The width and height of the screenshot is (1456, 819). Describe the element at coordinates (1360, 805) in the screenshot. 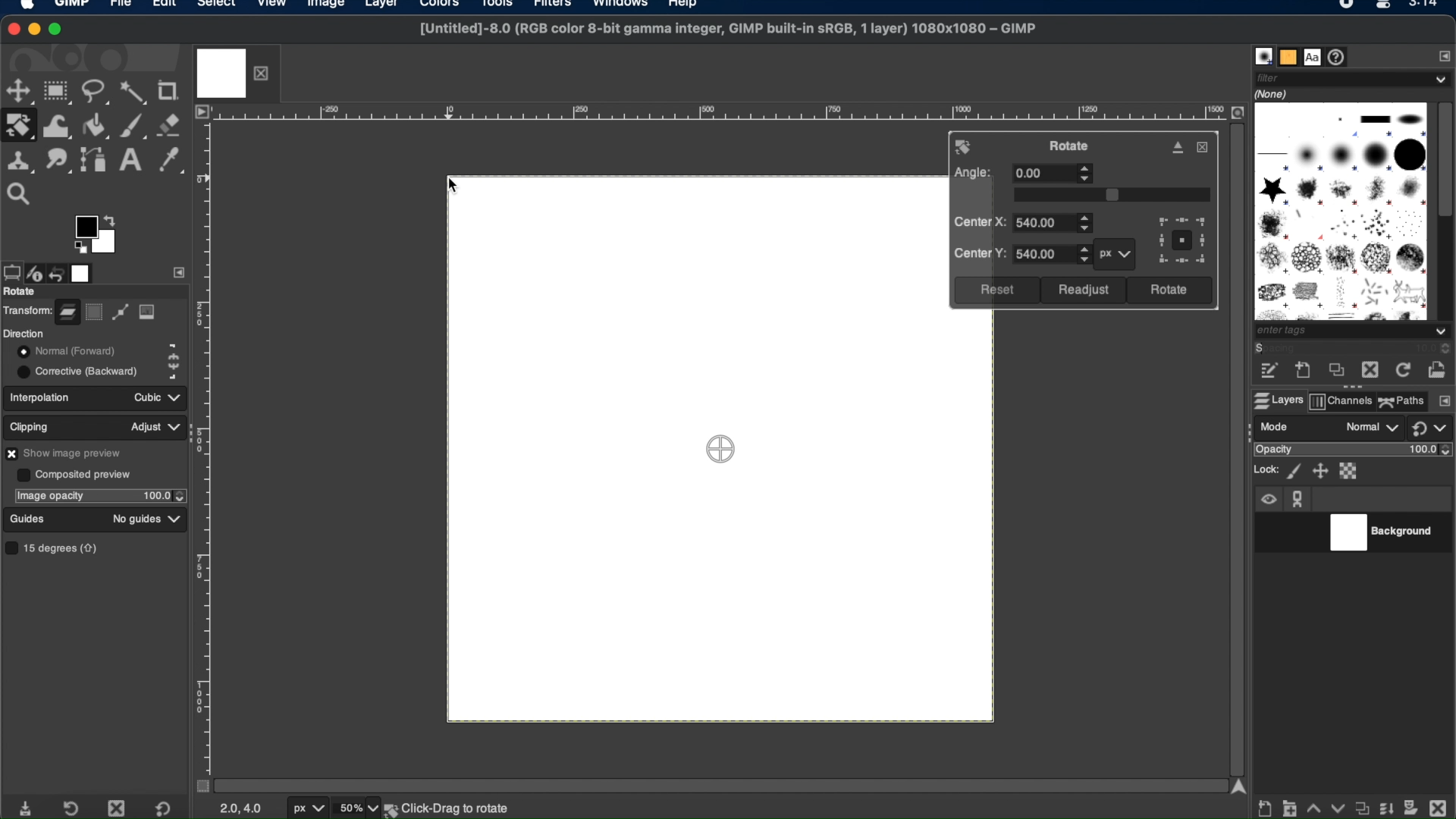

I see `duplicate properties` at that location.